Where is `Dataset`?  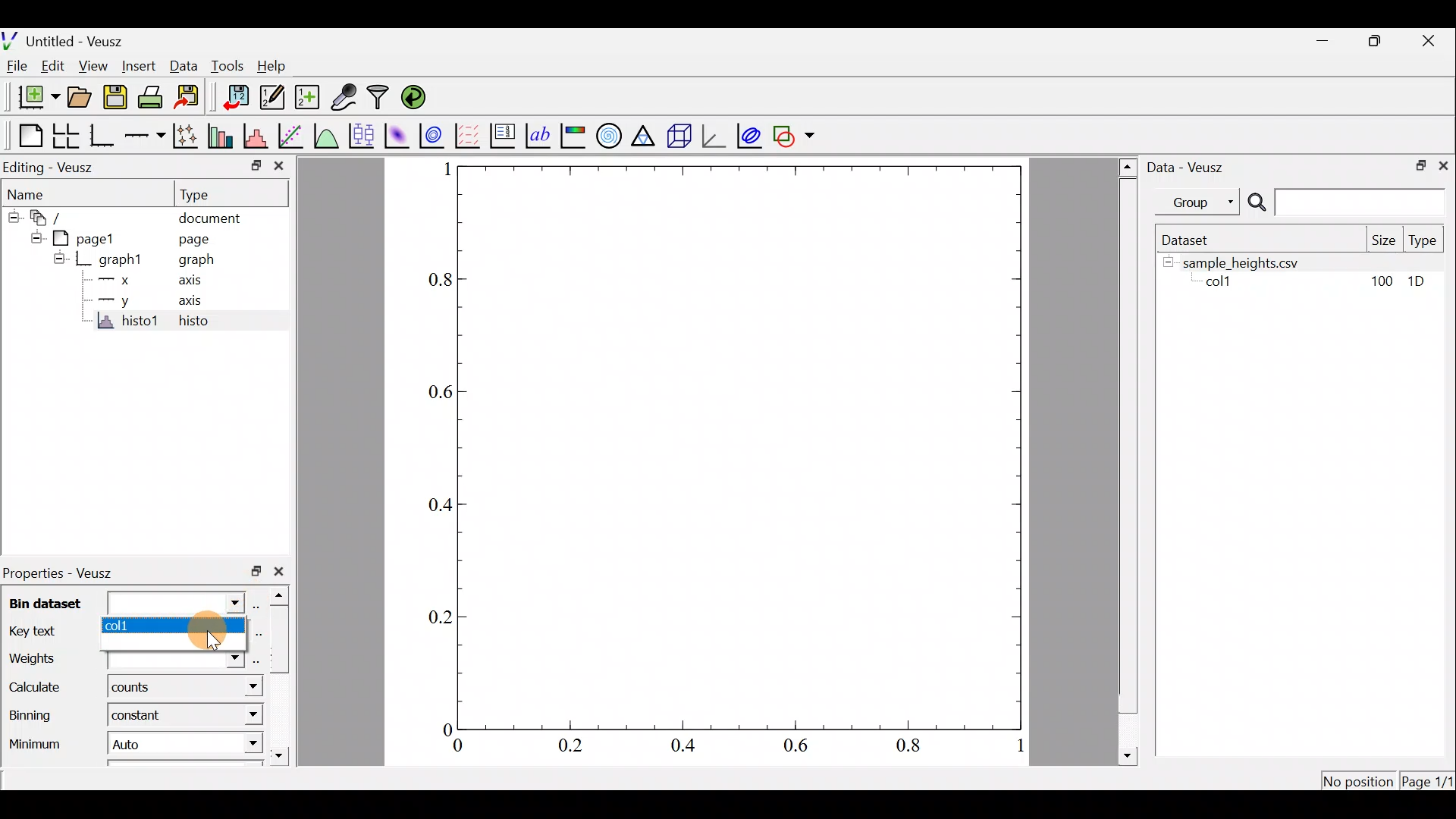
Dataset is located at coordinates (1194, 240).